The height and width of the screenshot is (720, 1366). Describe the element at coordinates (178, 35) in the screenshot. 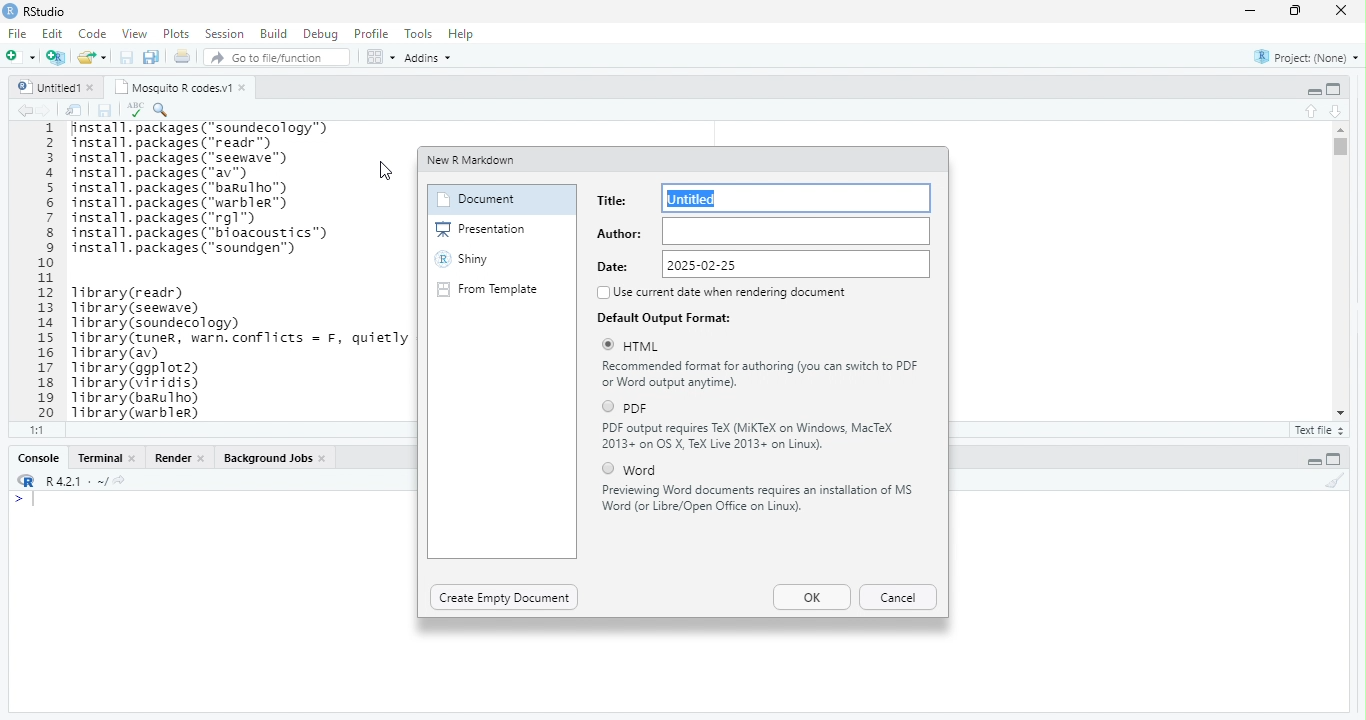

I see `Plots` at that location.